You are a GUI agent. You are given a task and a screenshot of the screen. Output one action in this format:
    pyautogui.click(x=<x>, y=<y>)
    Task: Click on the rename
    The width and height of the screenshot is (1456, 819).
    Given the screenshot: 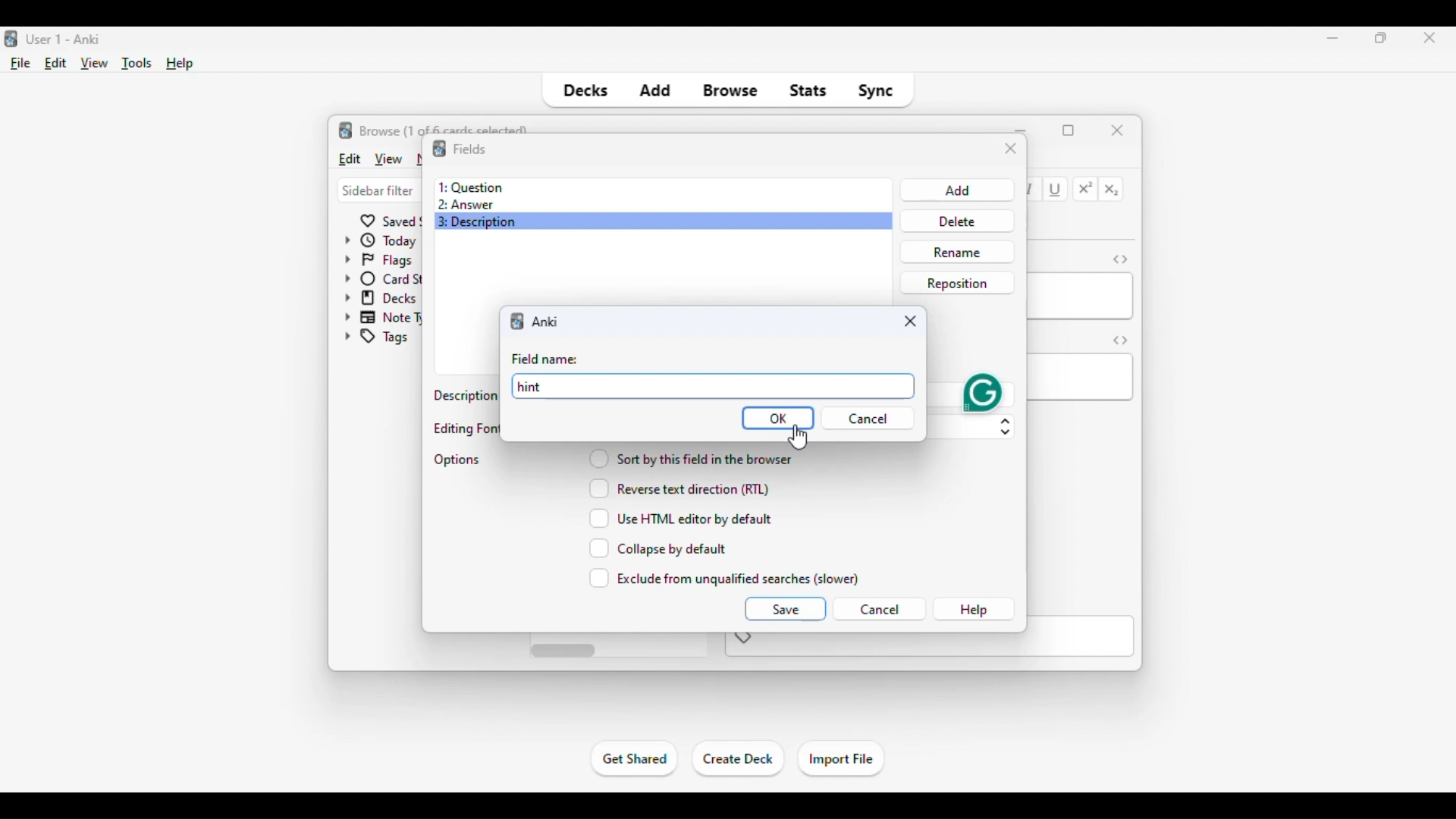 What is the action you would take?
    pyautogui.click(x=956, y=252)
    